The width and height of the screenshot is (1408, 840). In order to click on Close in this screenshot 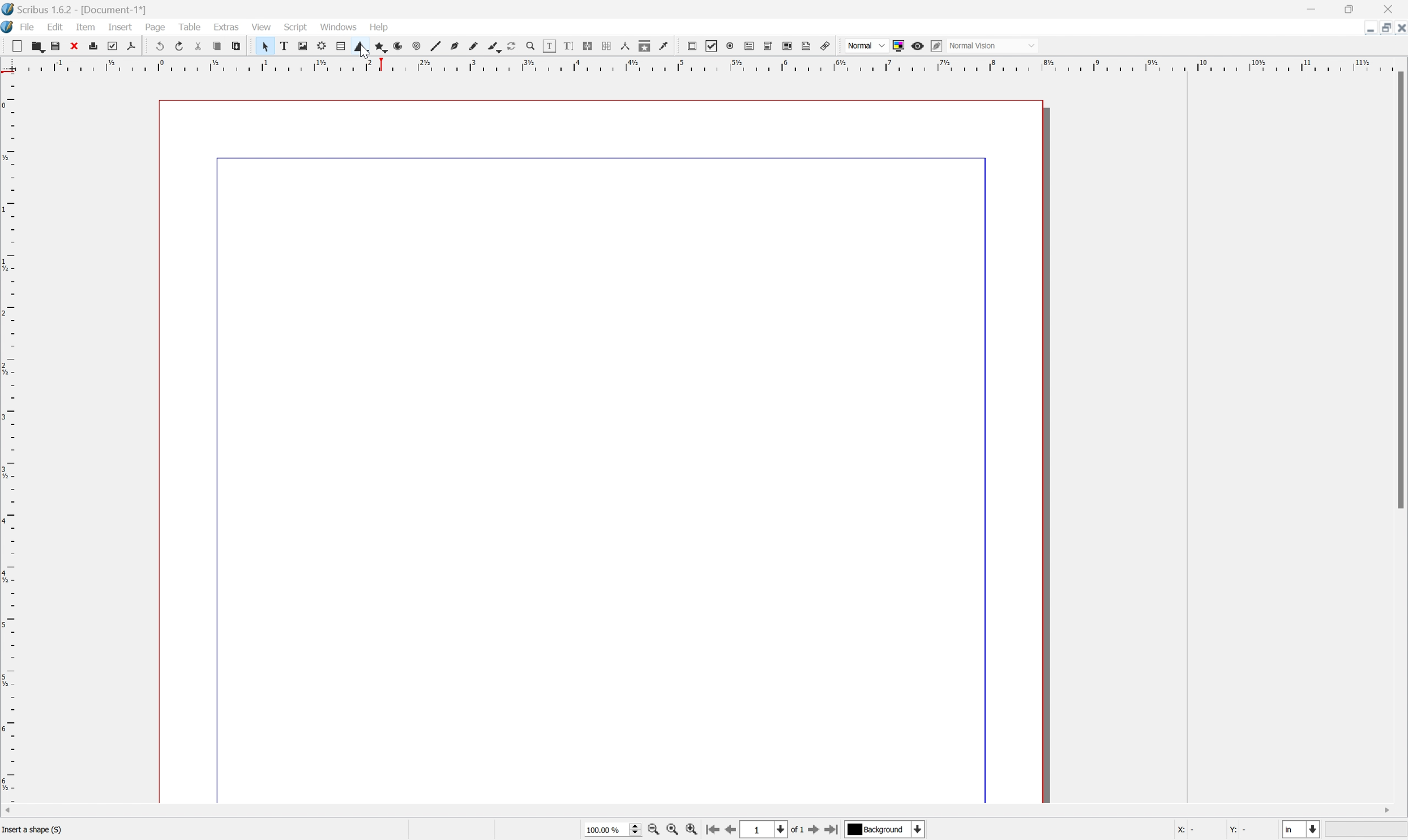, I will do `click(1388, 10)`.